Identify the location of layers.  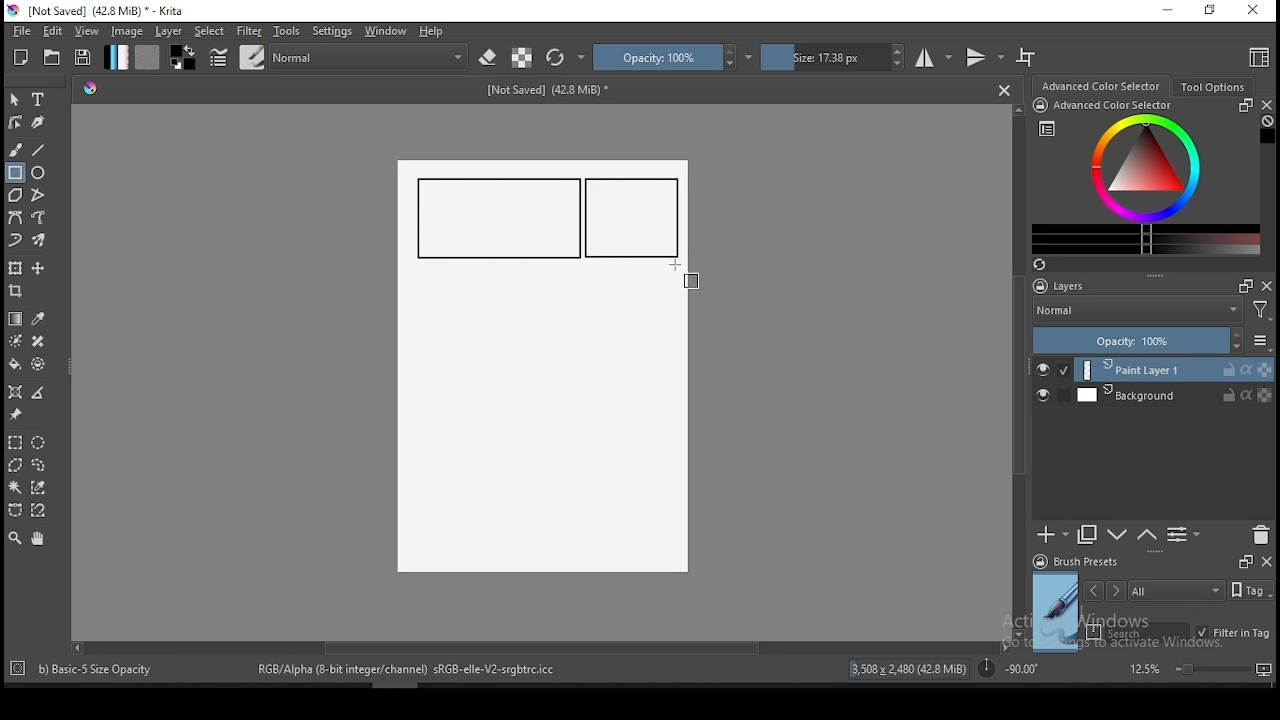
(1065, 287).